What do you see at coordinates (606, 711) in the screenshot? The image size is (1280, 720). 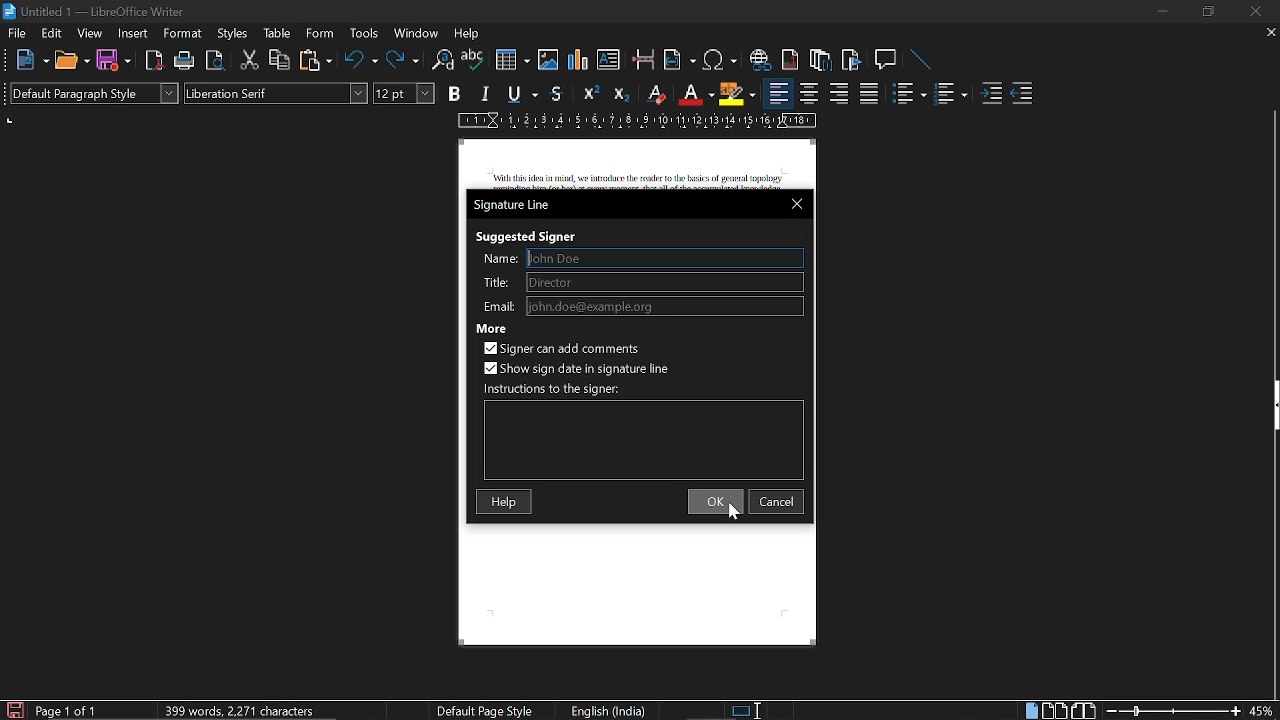 I see `current language` at bounding box center [606, 711].